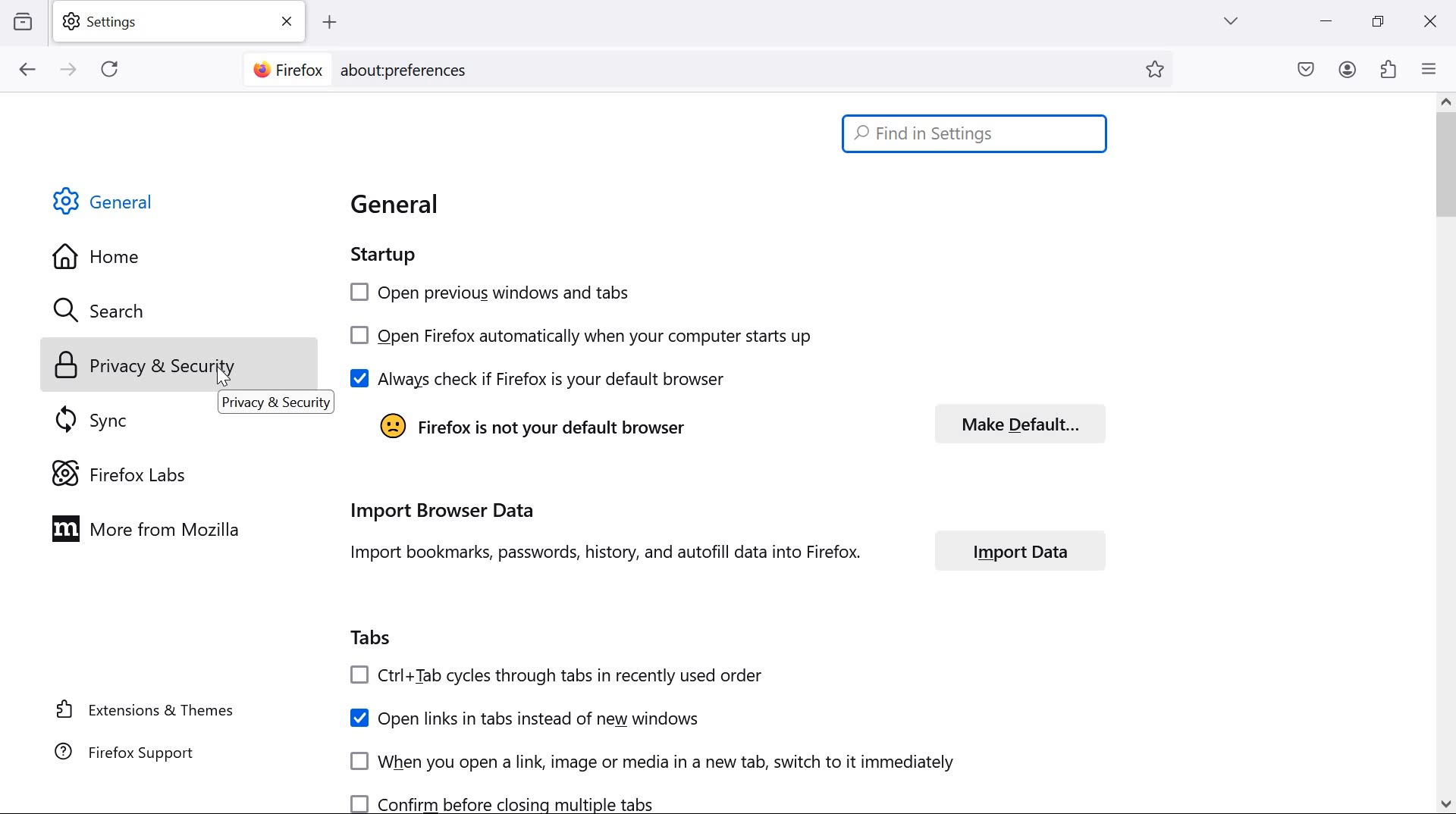  I want to click on import data, so click(1023, 550).